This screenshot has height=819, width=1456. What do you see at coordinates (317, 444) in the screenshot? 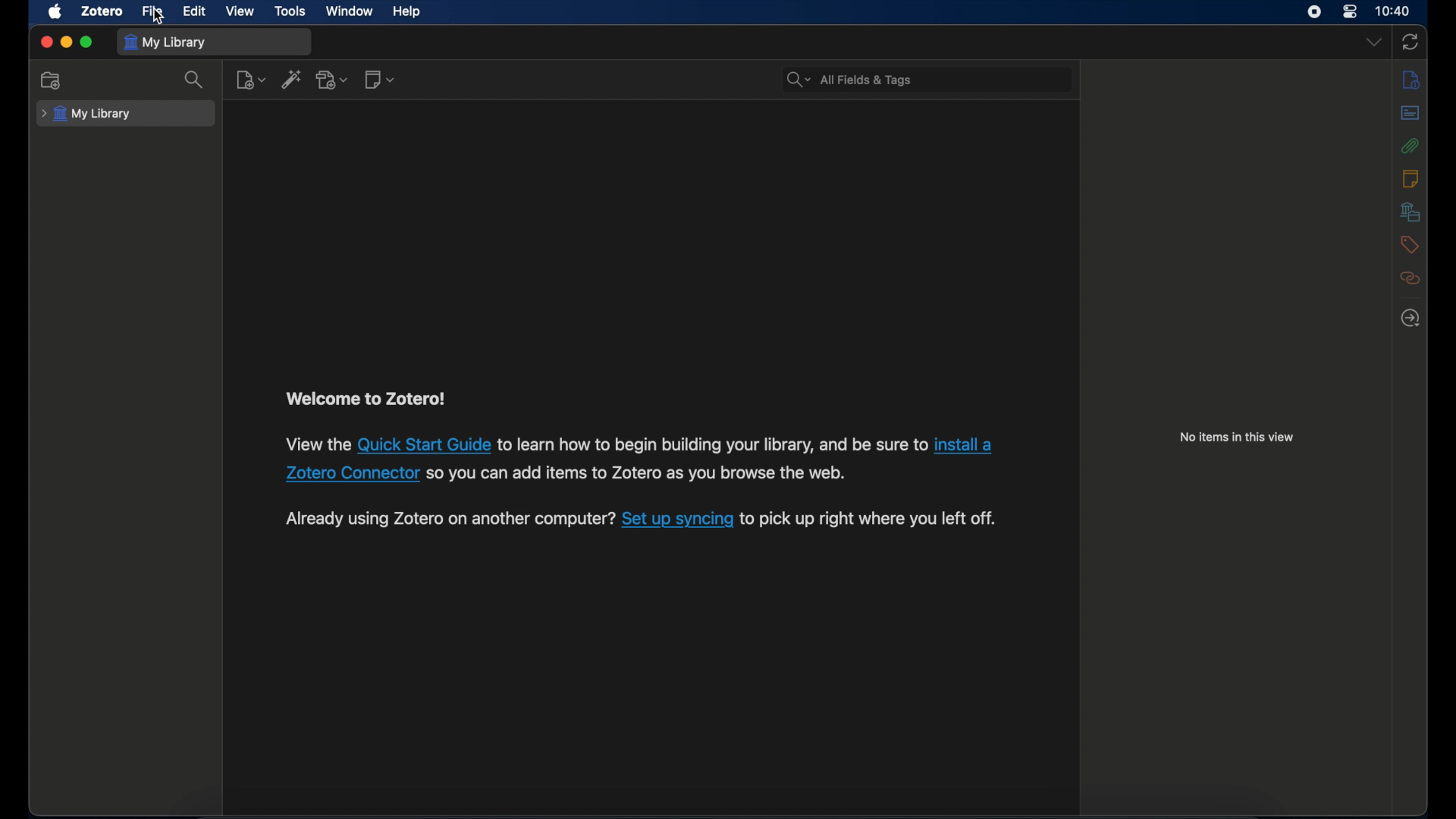
I see `View the` at bounding box center [317, 444].